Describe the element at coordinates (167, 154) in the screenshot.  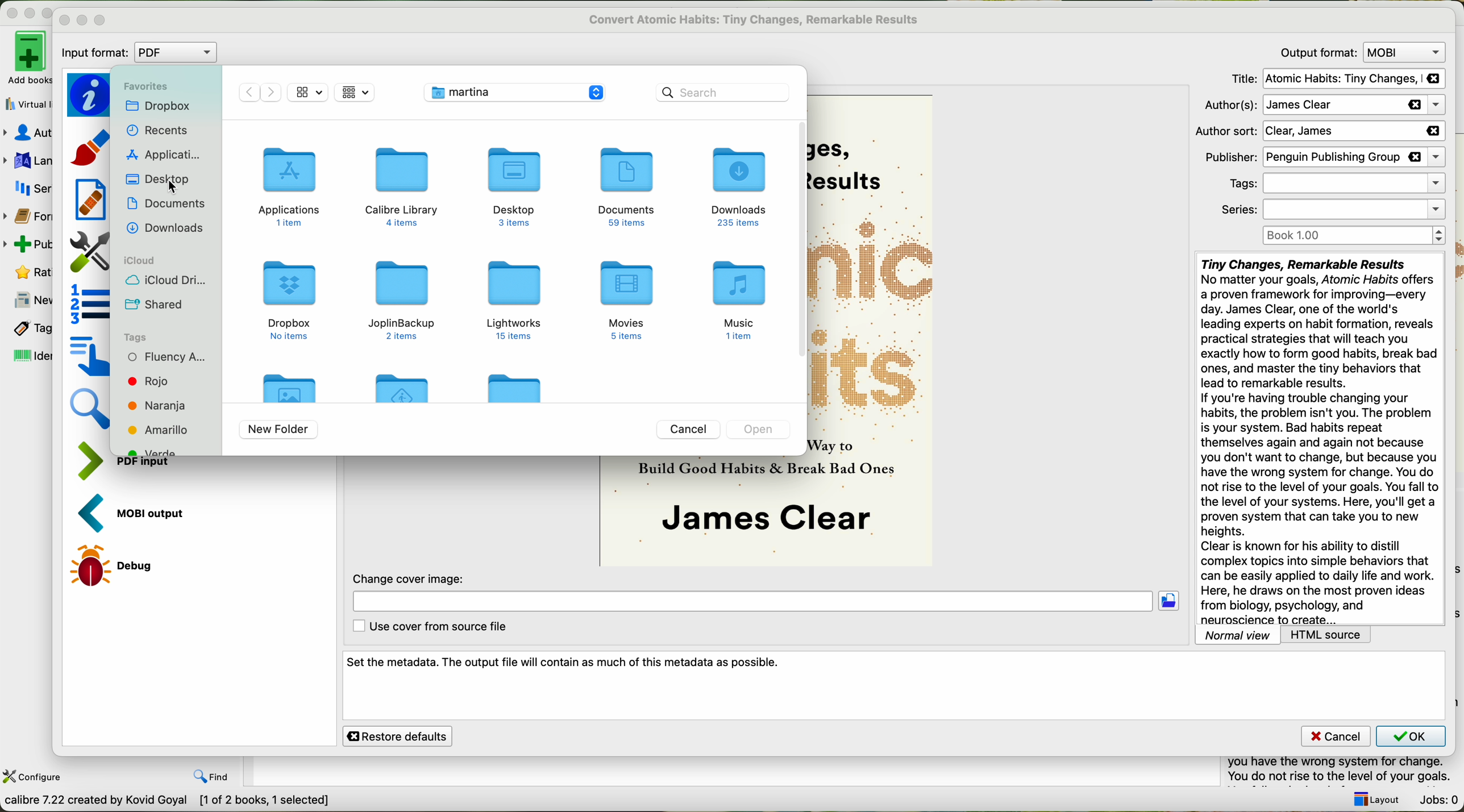
I see `applications` at that location.